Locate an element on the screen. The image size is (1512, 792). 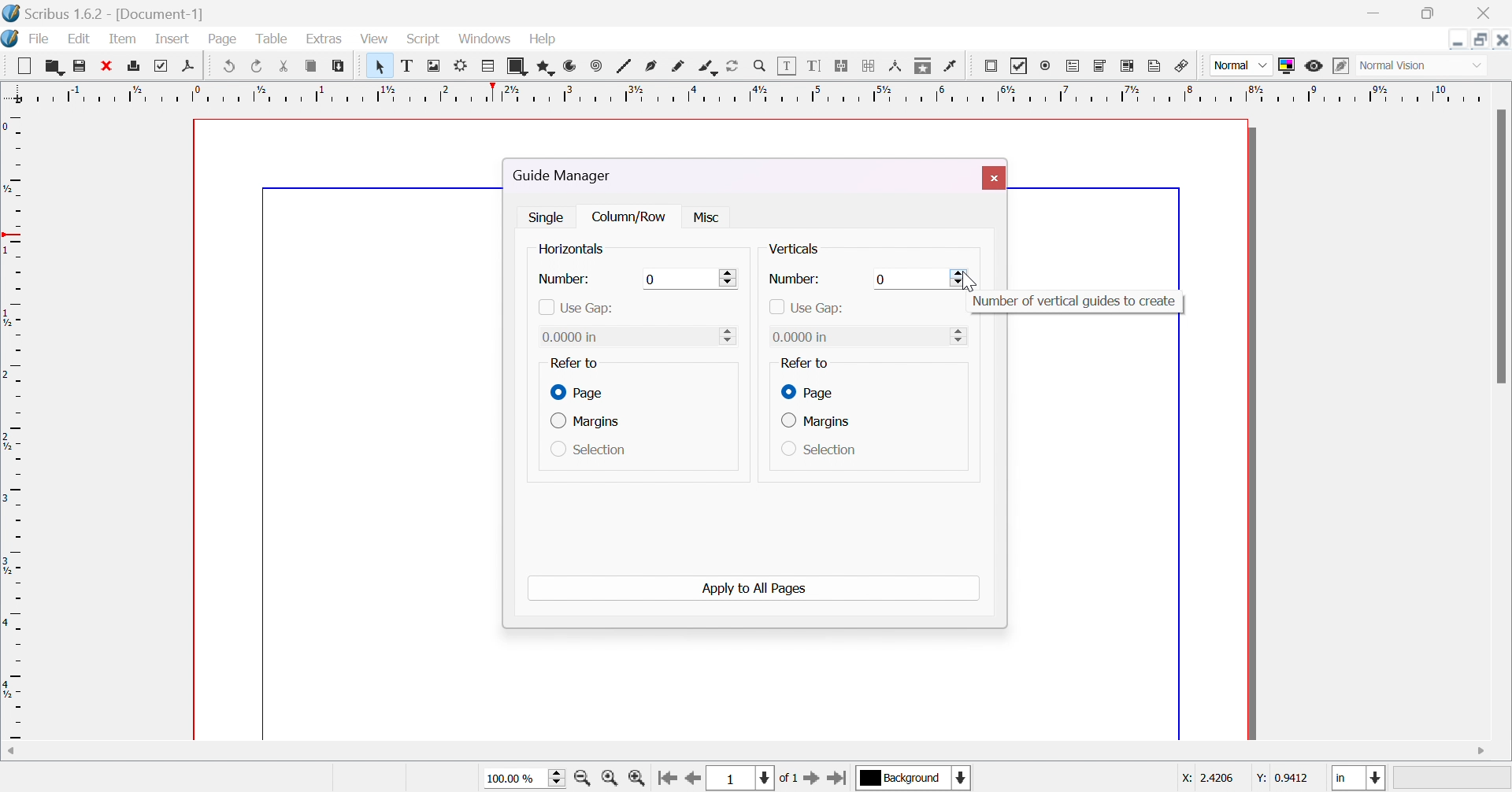
undo is located at coordinates (232, 64).